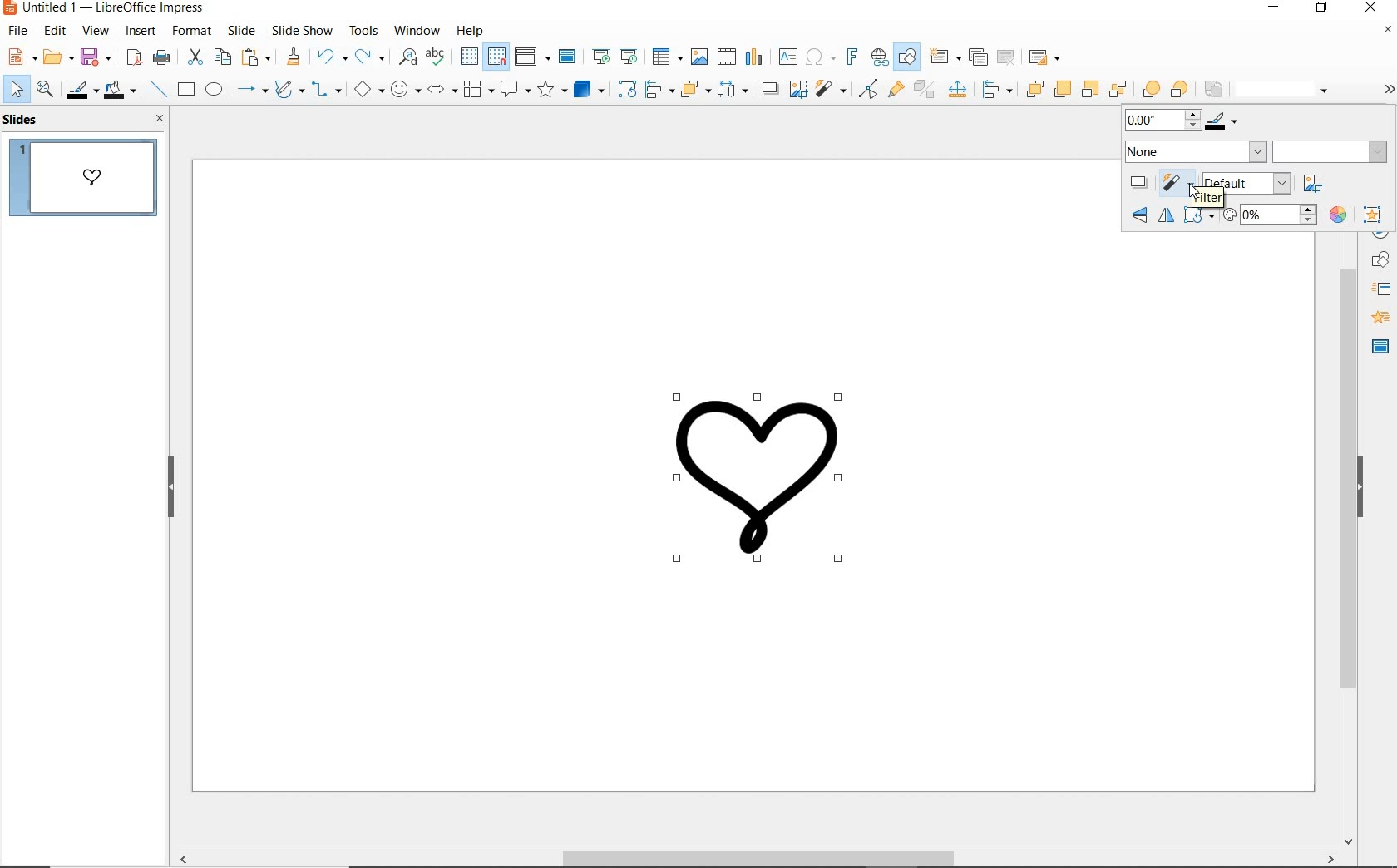  Describe the element at coordinates (192, 31) in the screenshot. I see `format` at that location.